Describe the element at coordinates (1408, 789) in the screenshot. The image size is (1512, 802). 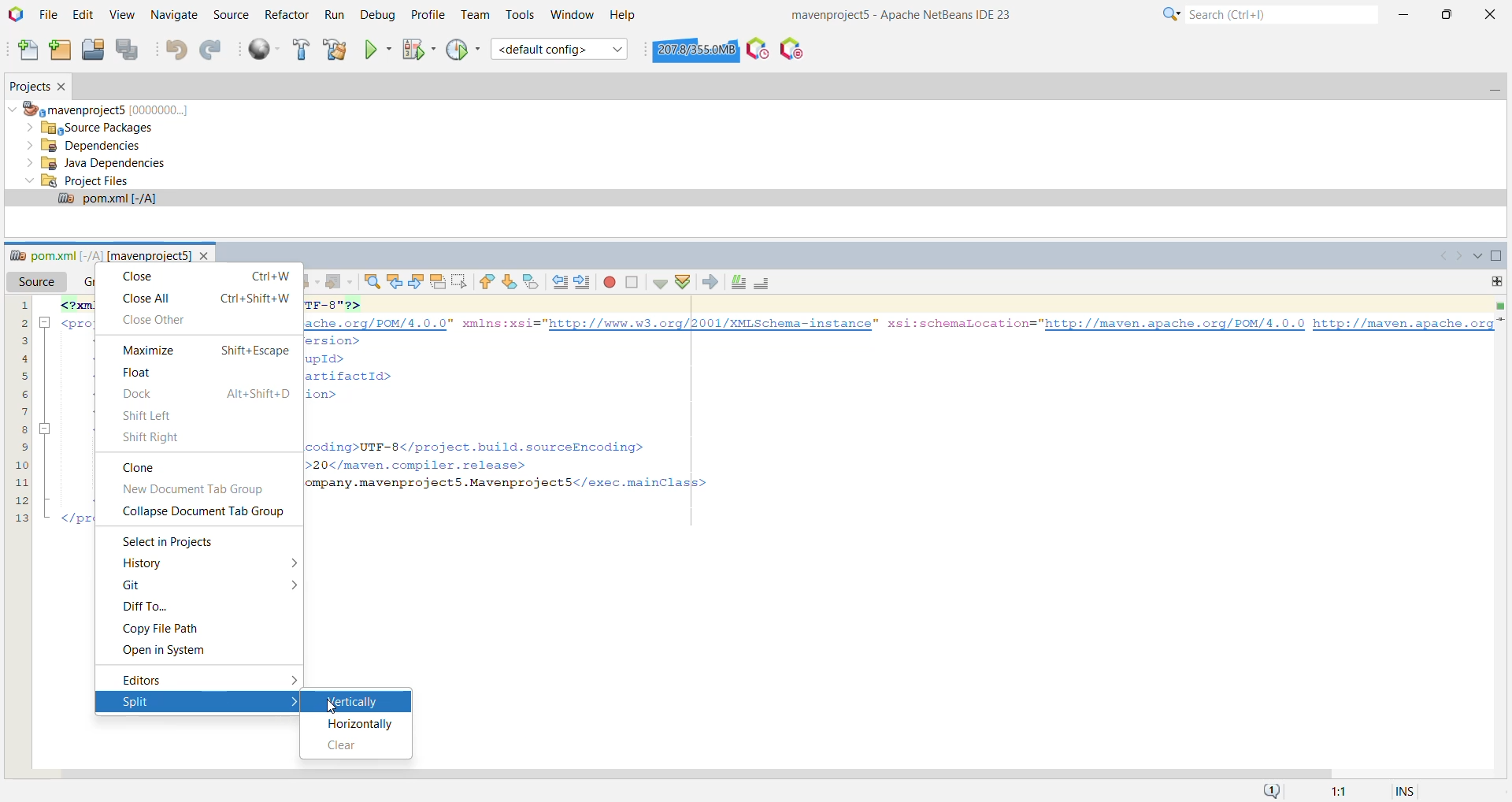
I see `Insert Mode` at that location.